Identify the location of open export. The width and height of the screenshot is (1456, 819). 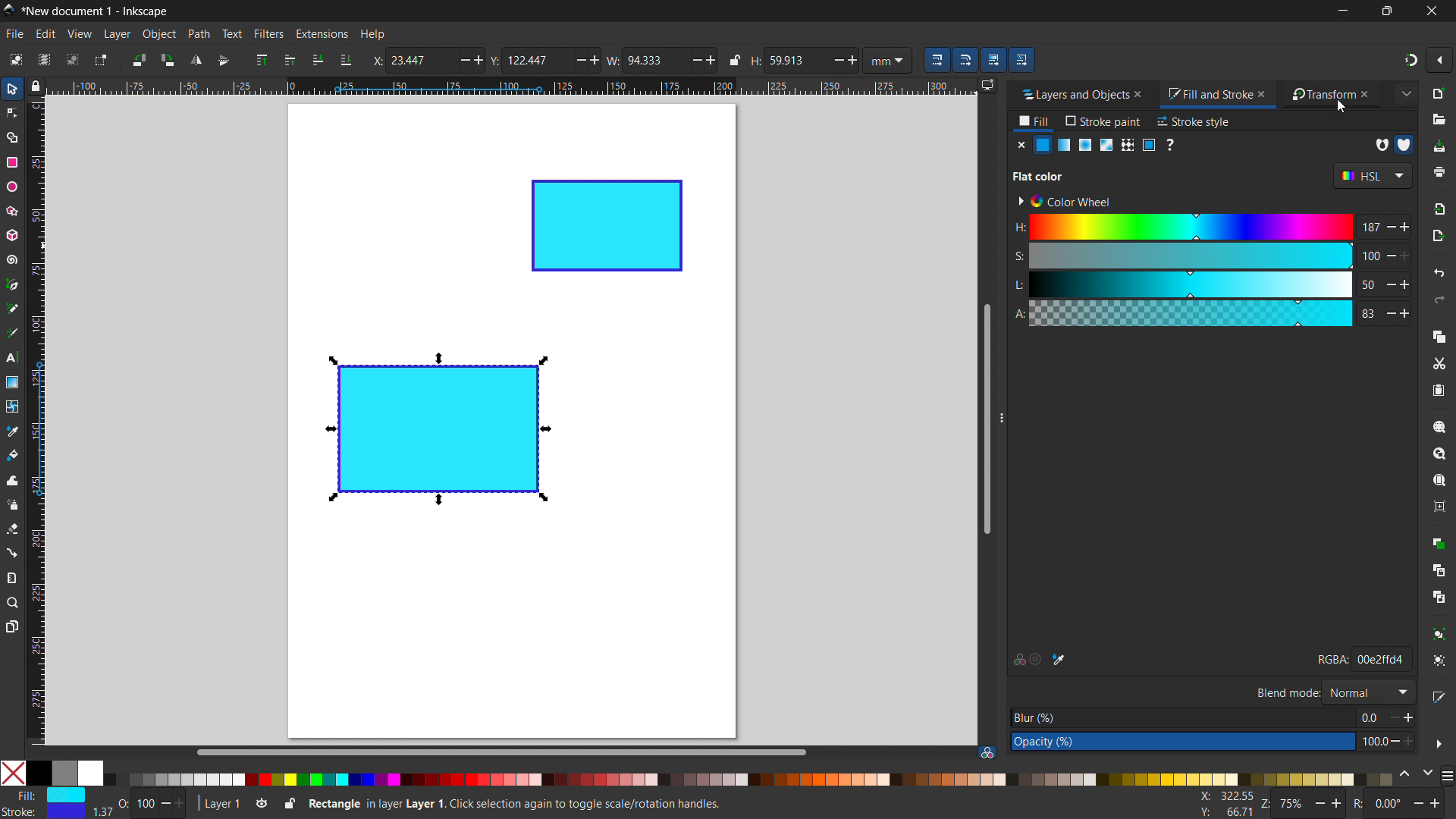
(1438, 235).